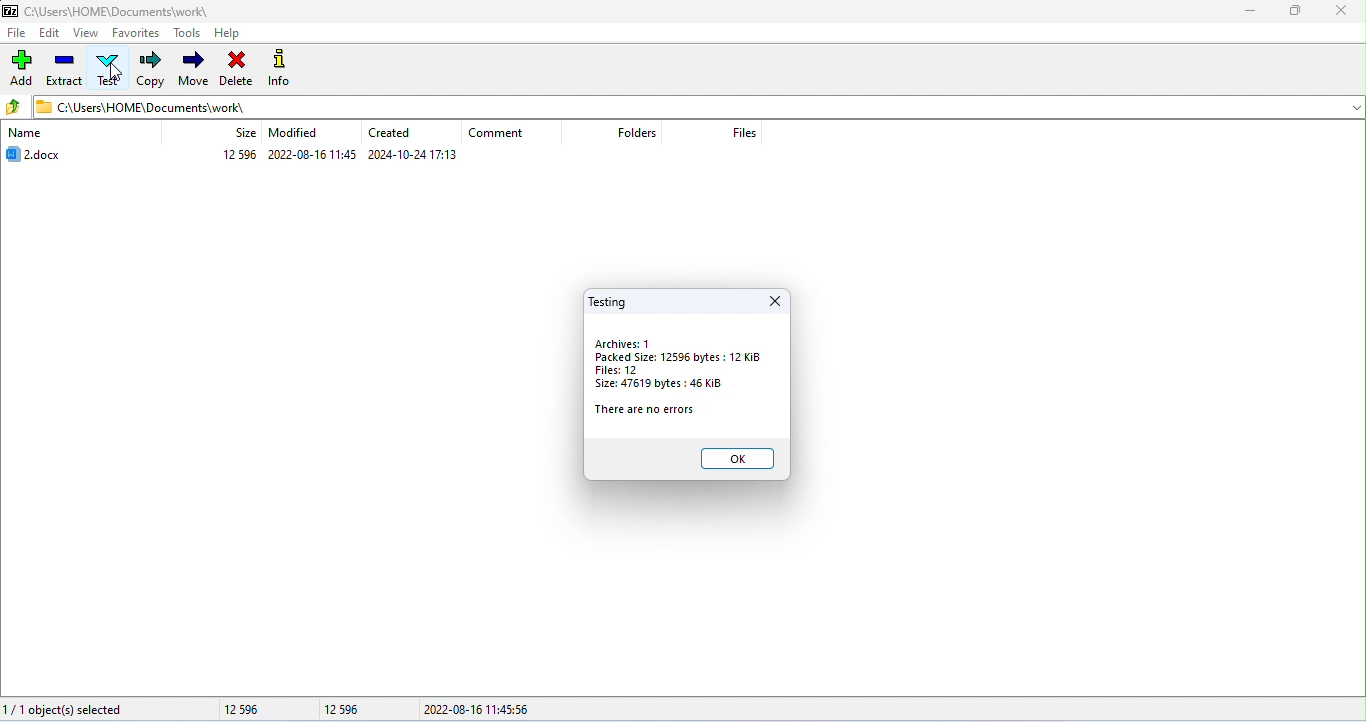  I want to click on folders, so click(638, 134).